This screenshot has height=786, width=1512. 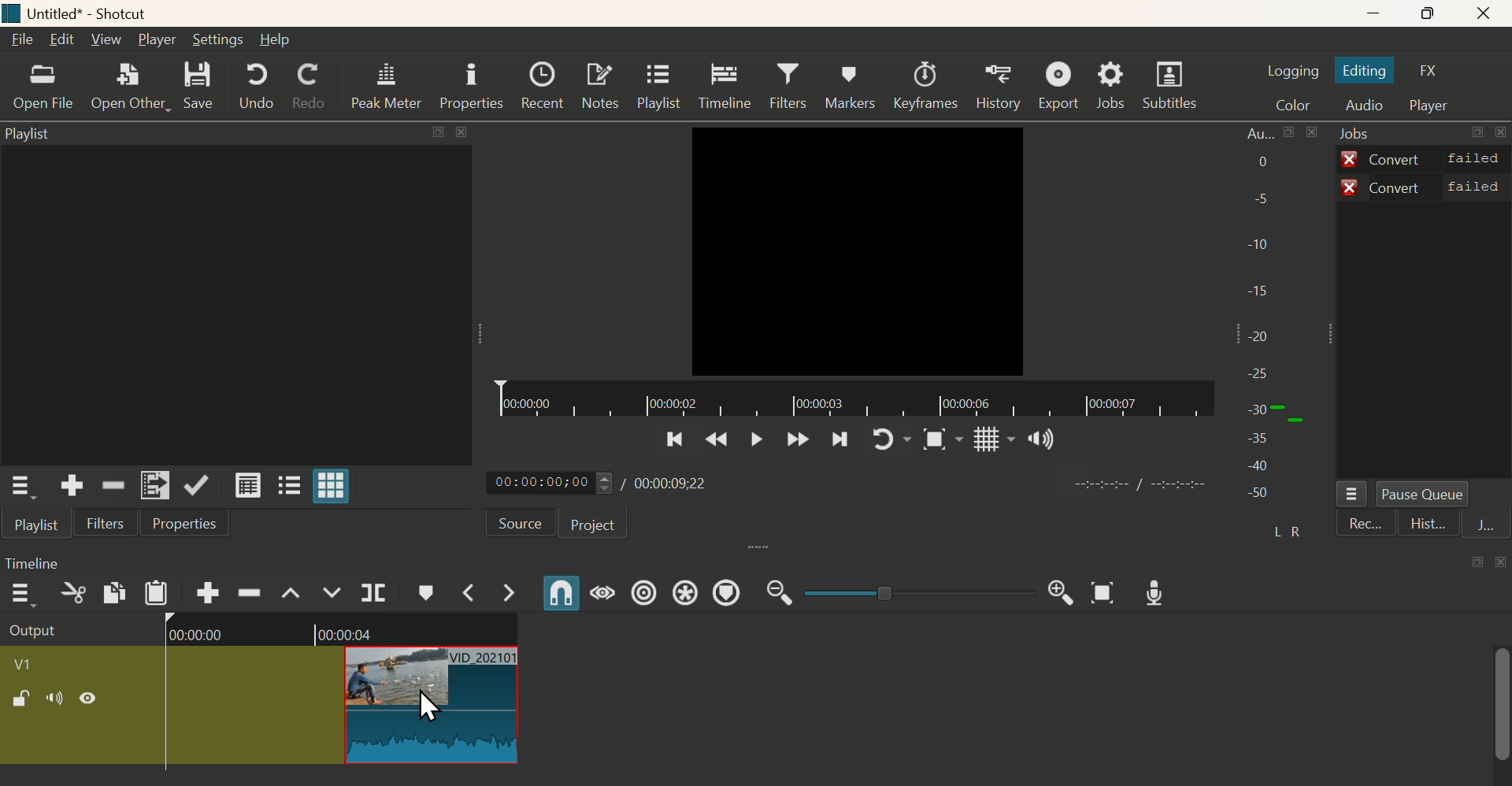 I want to click on Audio bar, so click(x=1272, y=335).